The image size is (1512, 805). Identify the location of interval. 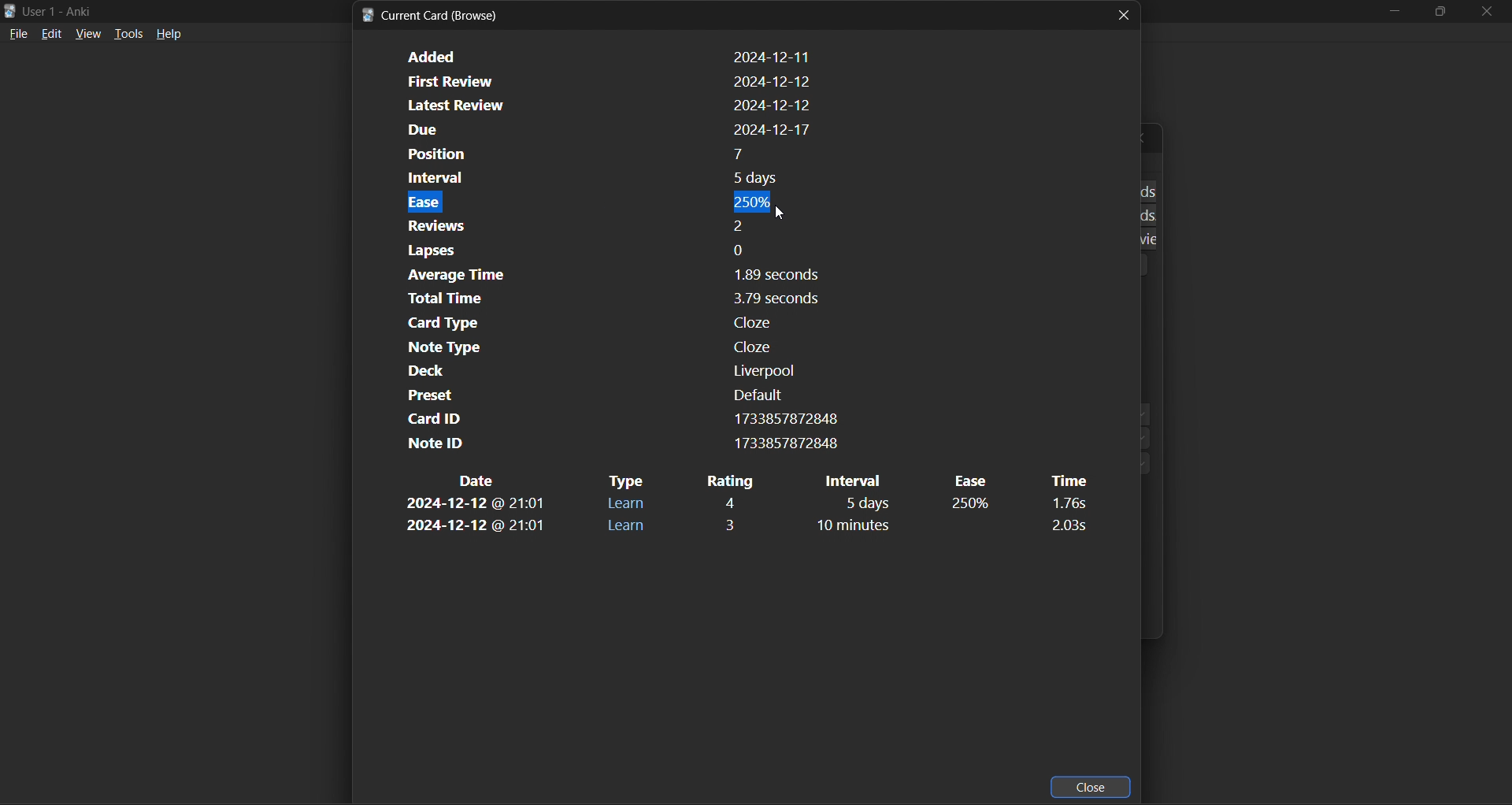
(860, 480).